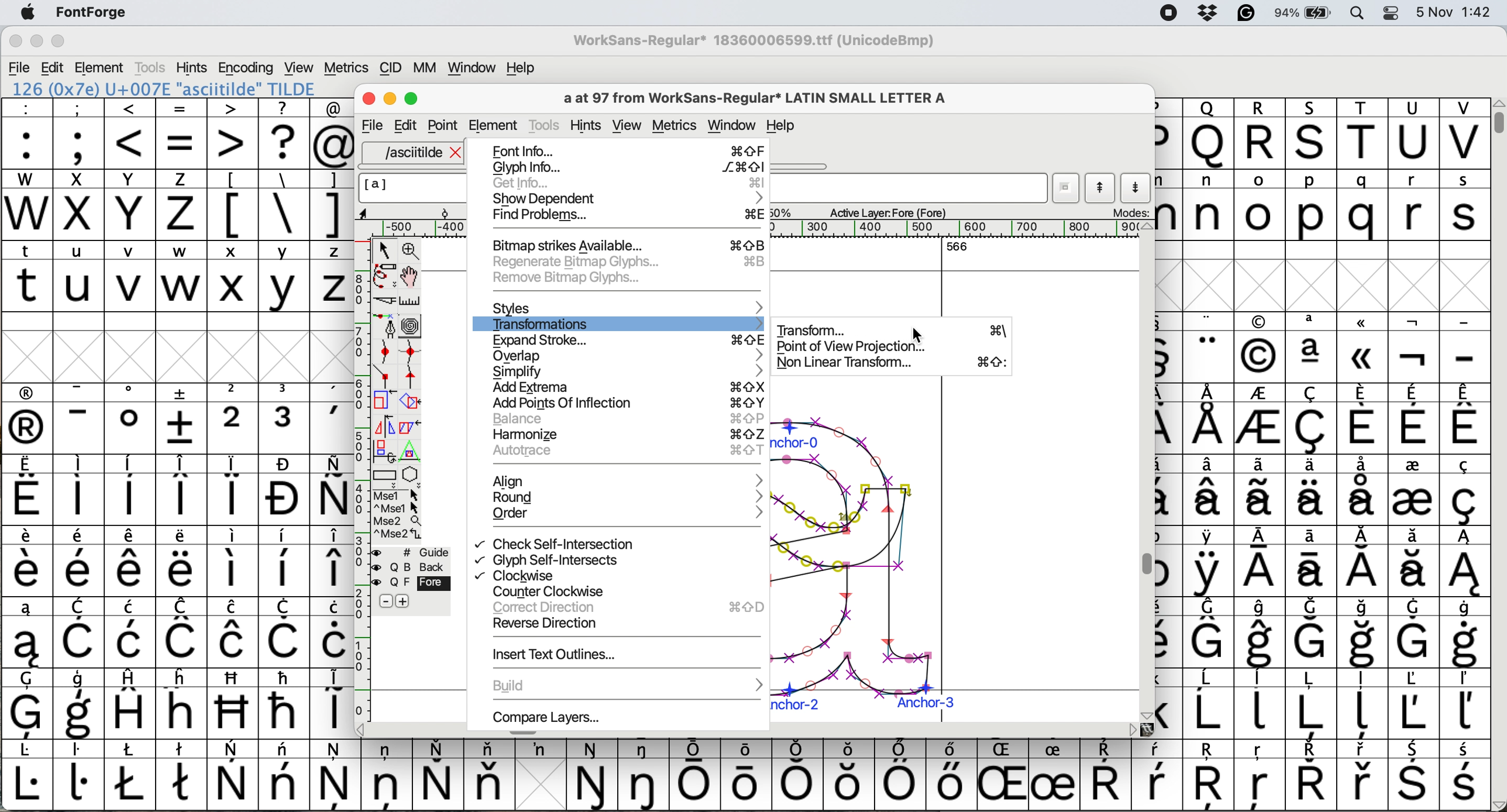 The height and width of the screenshot is (812, 1507). Describe the element at coordinates (133, 632) in the screenshot. I see `symbol` at that location.